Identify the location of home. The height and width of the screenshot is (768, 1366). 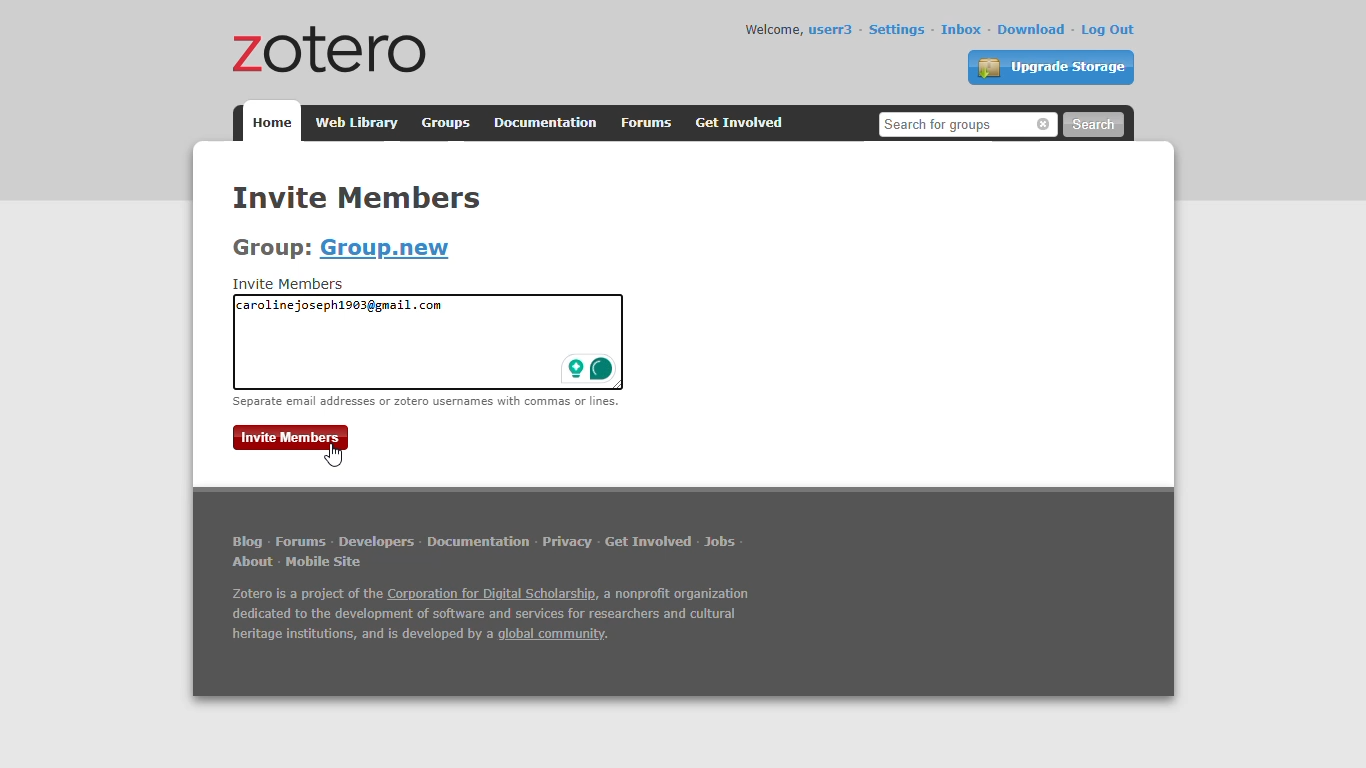
(271, 121).